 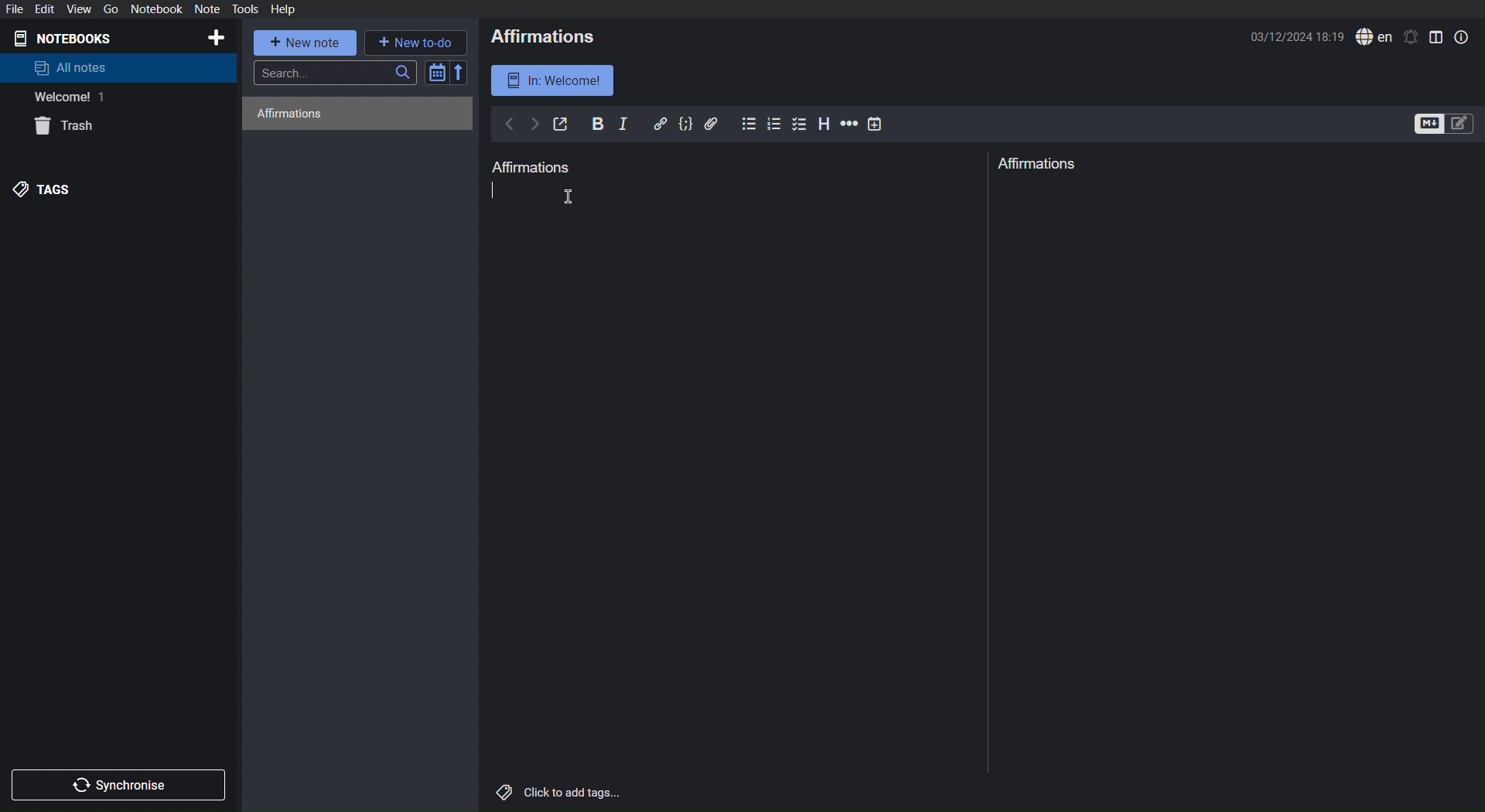 I want to click on Code, so click(x=686, y=124).